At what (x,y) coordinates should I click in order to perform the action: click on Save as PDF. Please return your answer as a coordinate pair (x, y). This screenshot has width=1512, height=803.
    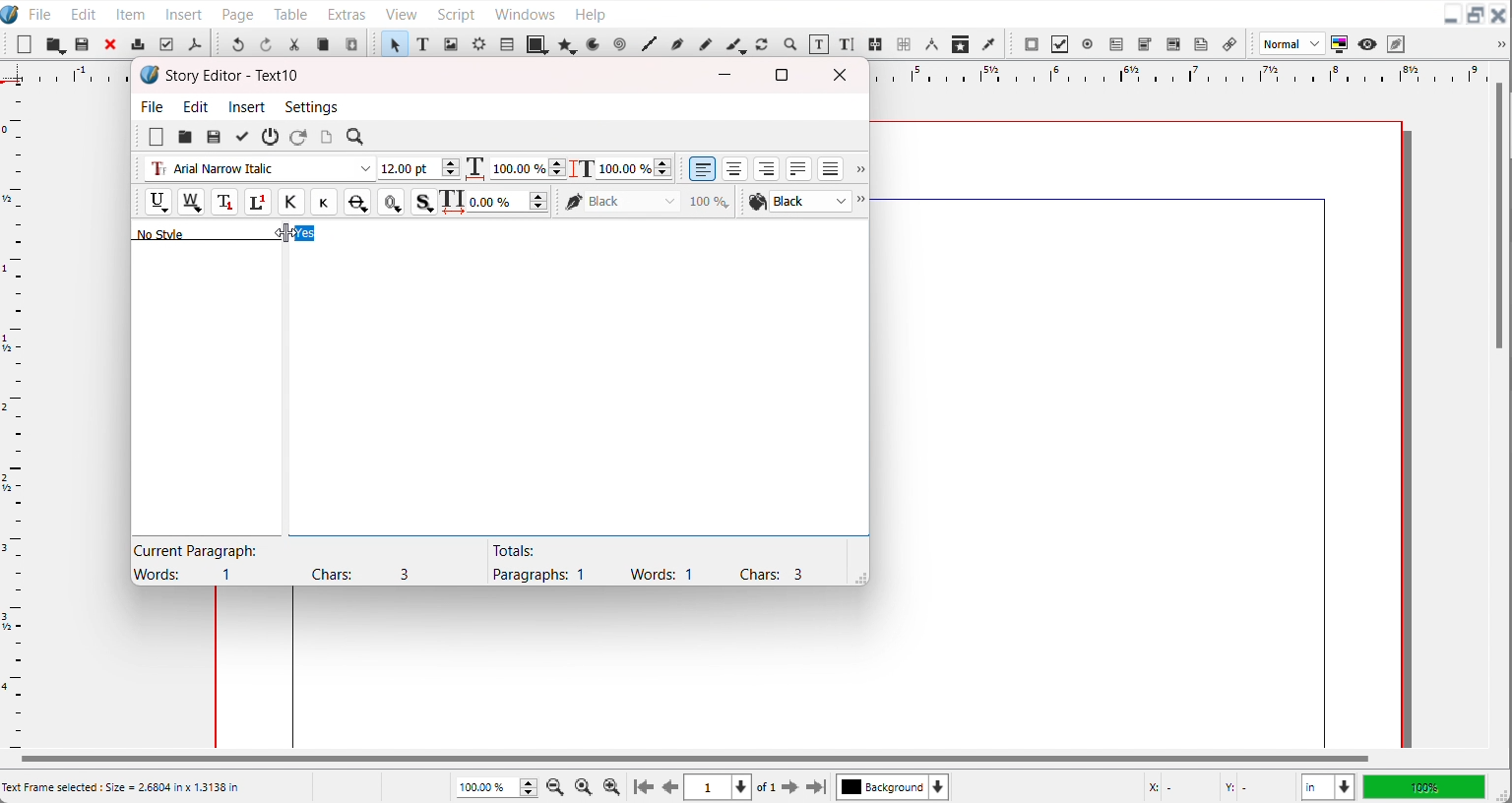
    Looking at the image, I should click on (194, 44).